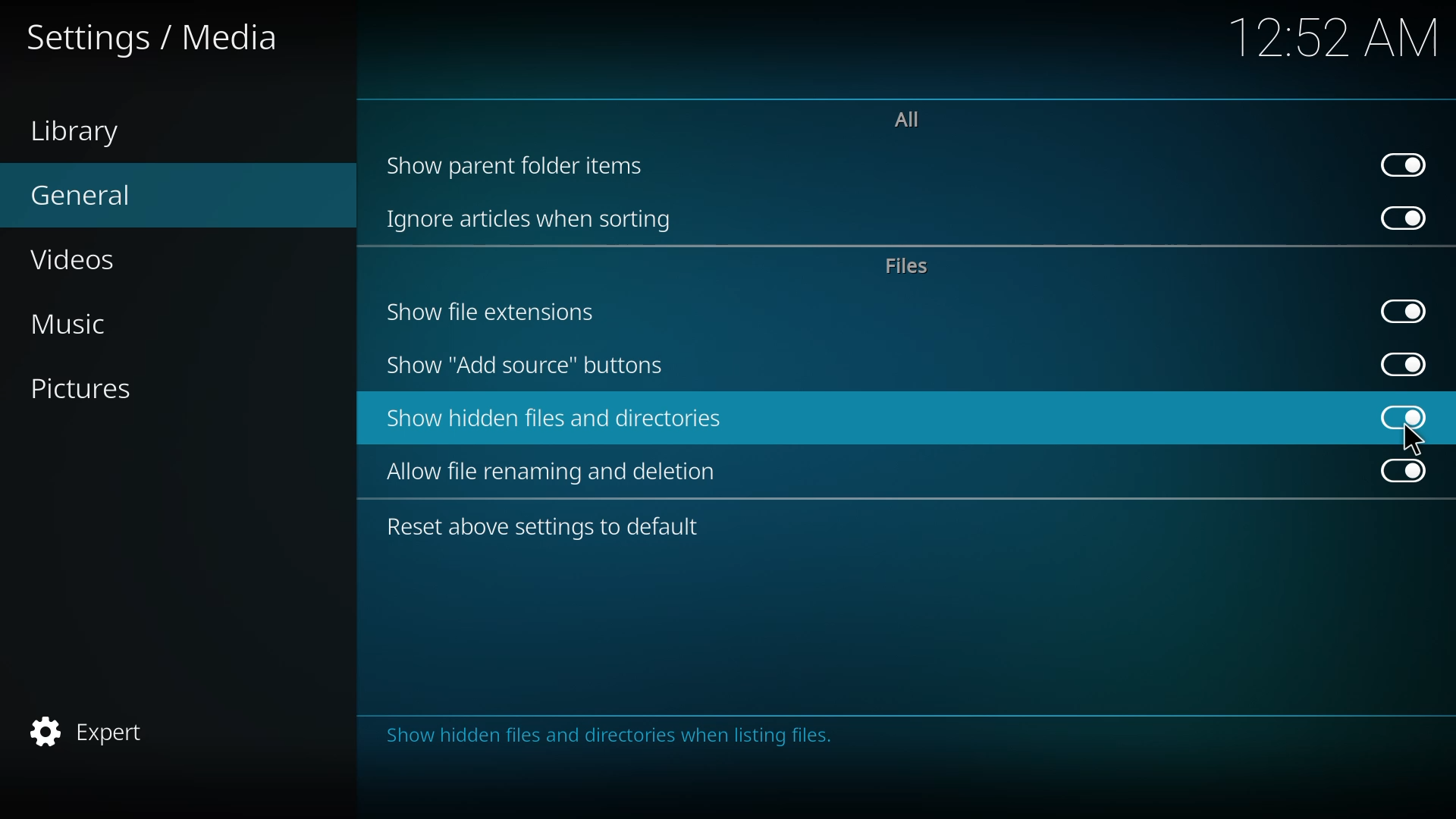 This screenshot has width=1456, height=819. Describe the element at coordinates (555, 416) in the screenshot. I see `show hidden files and directories` at that location.